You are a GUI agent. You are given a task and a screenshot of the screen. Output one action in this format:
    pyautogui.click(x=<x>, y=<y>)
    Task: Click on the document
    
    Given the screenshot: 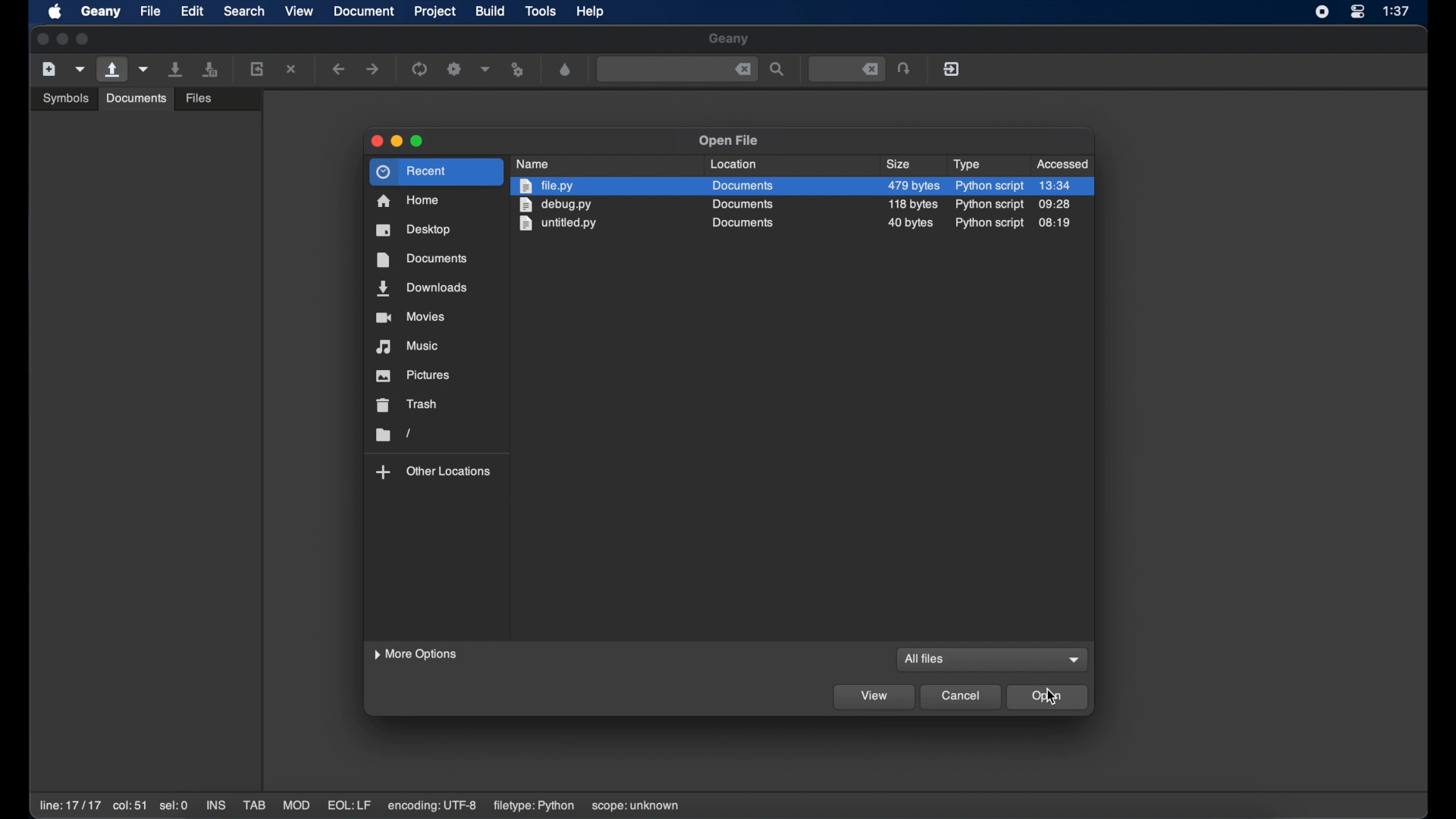 What is the action you would take?
    pyautogui.click(x=365, y=11)
    